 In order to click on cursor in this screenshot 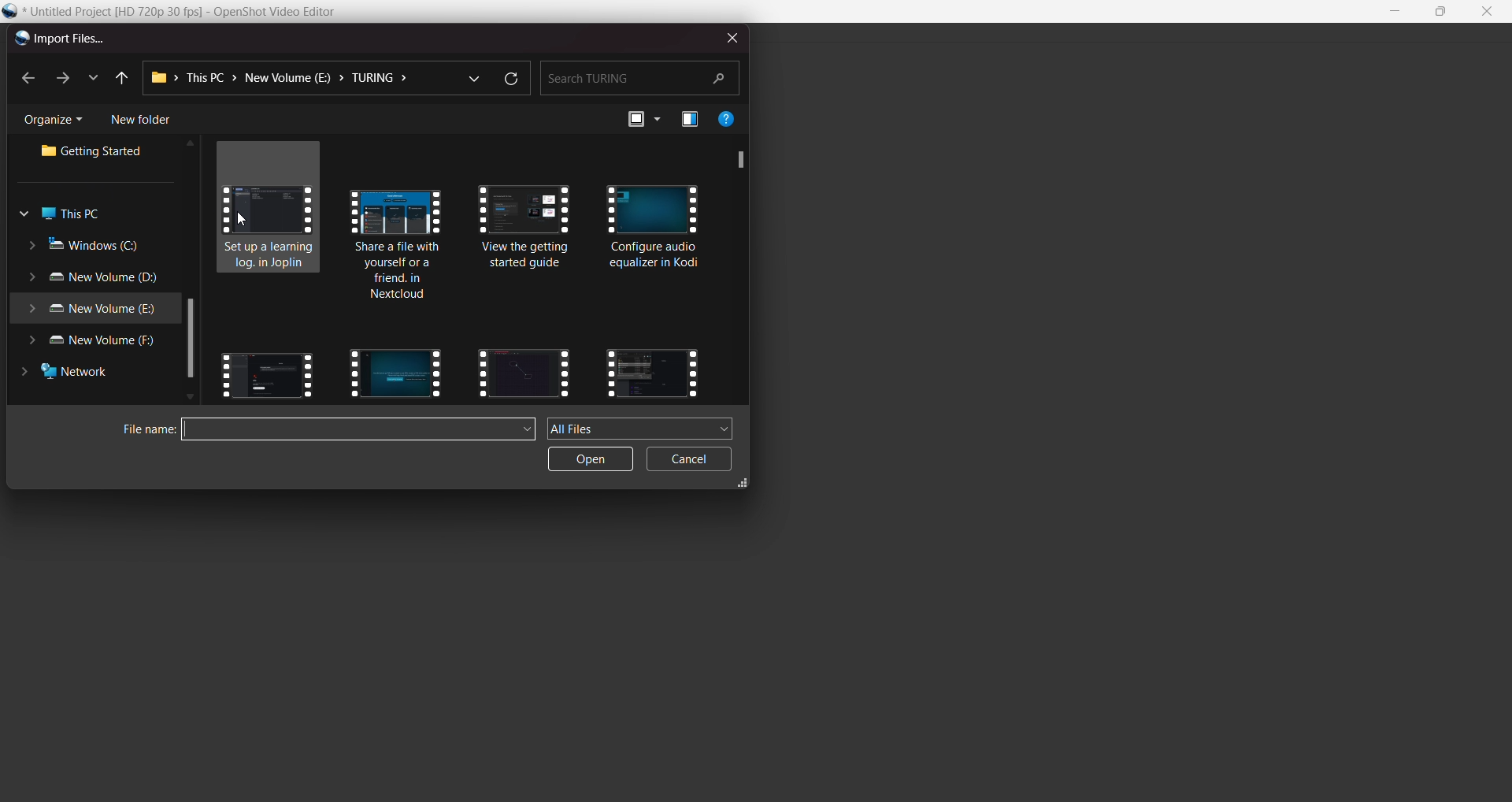, I will do `click(247, 223)`.